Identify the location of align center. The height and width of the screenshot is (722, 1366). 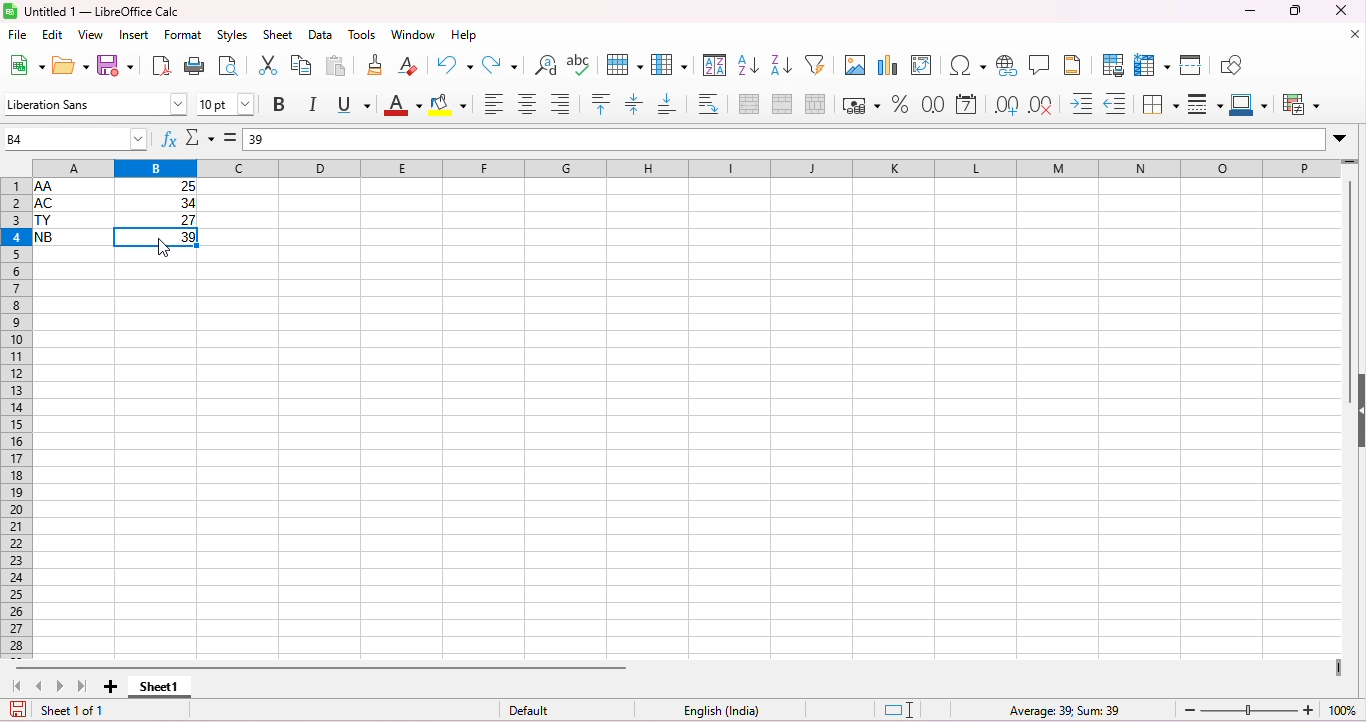
(528, 105).